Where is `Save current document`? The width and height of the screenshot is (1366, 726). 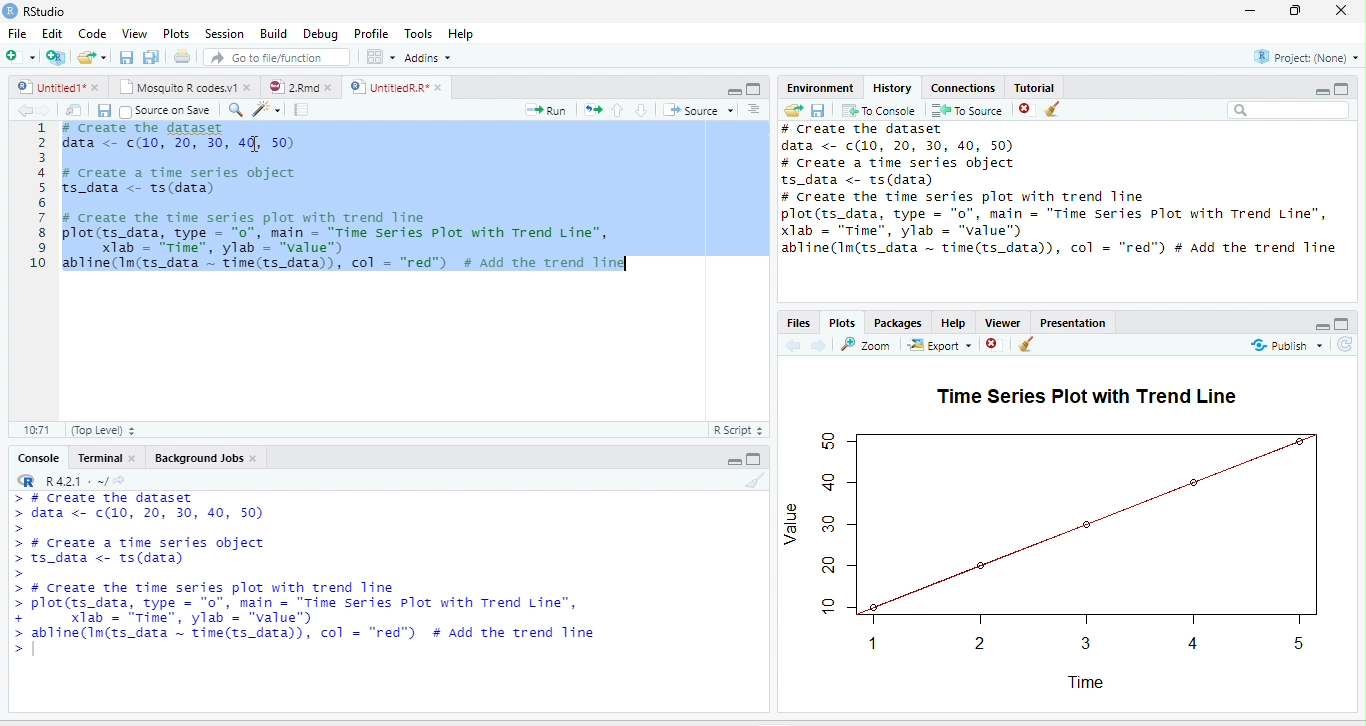 Save current document is located at coordinates (126, 56).